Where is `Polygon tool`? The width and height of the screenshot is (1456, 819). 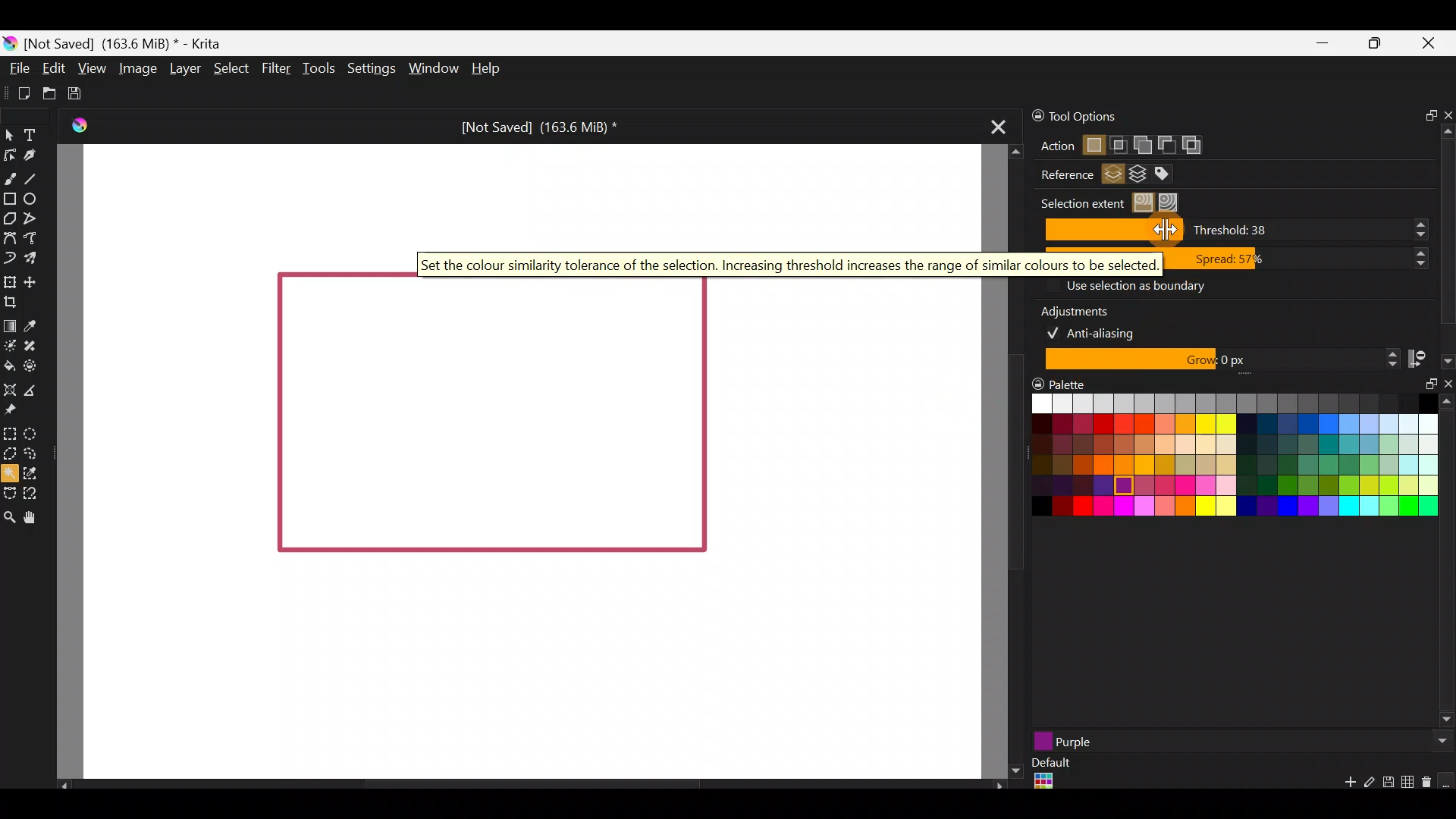
Polygon tool is located at coordinates (10, 218).